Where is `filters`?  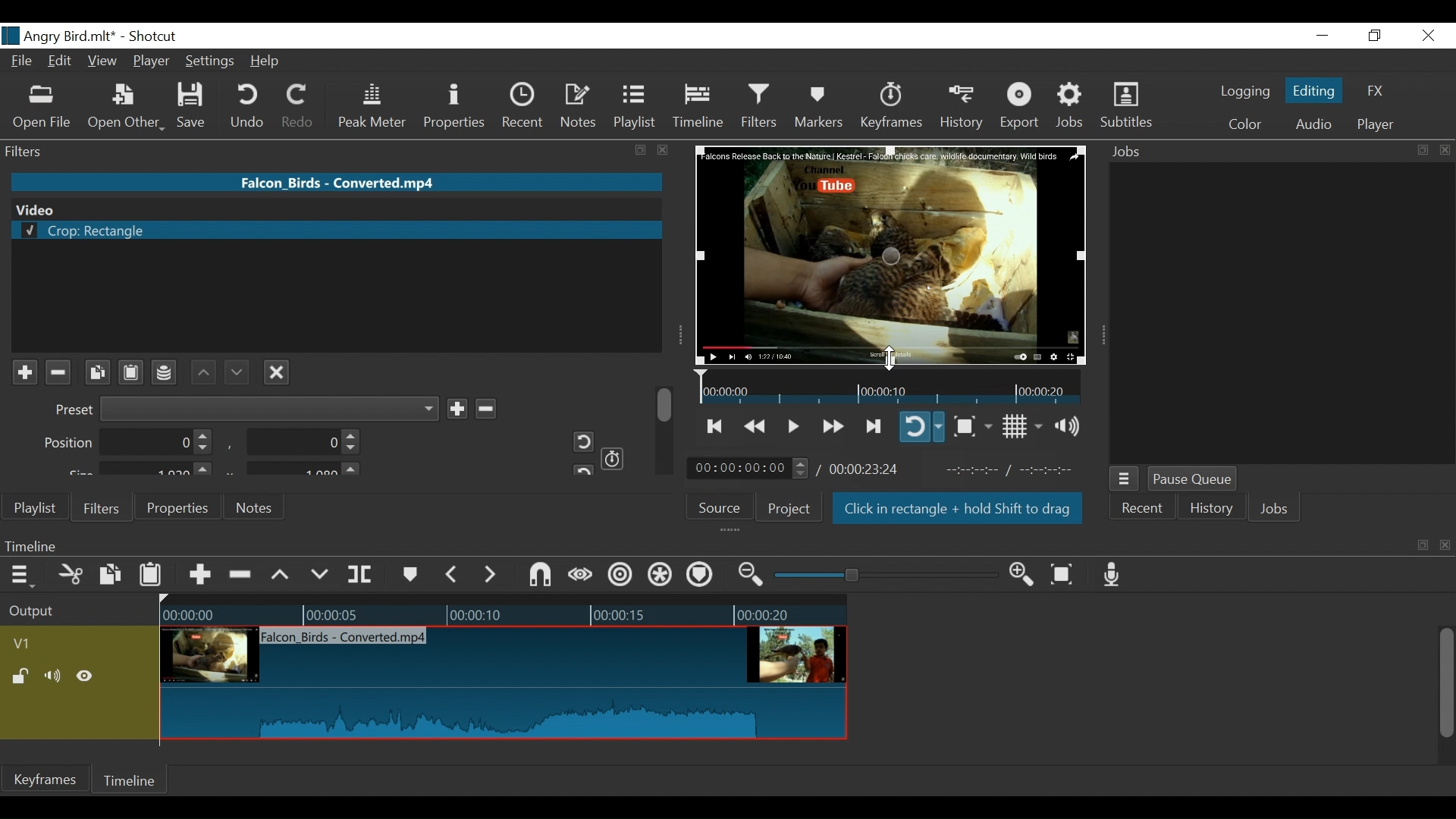 filters is located at coordinates (308, 150).